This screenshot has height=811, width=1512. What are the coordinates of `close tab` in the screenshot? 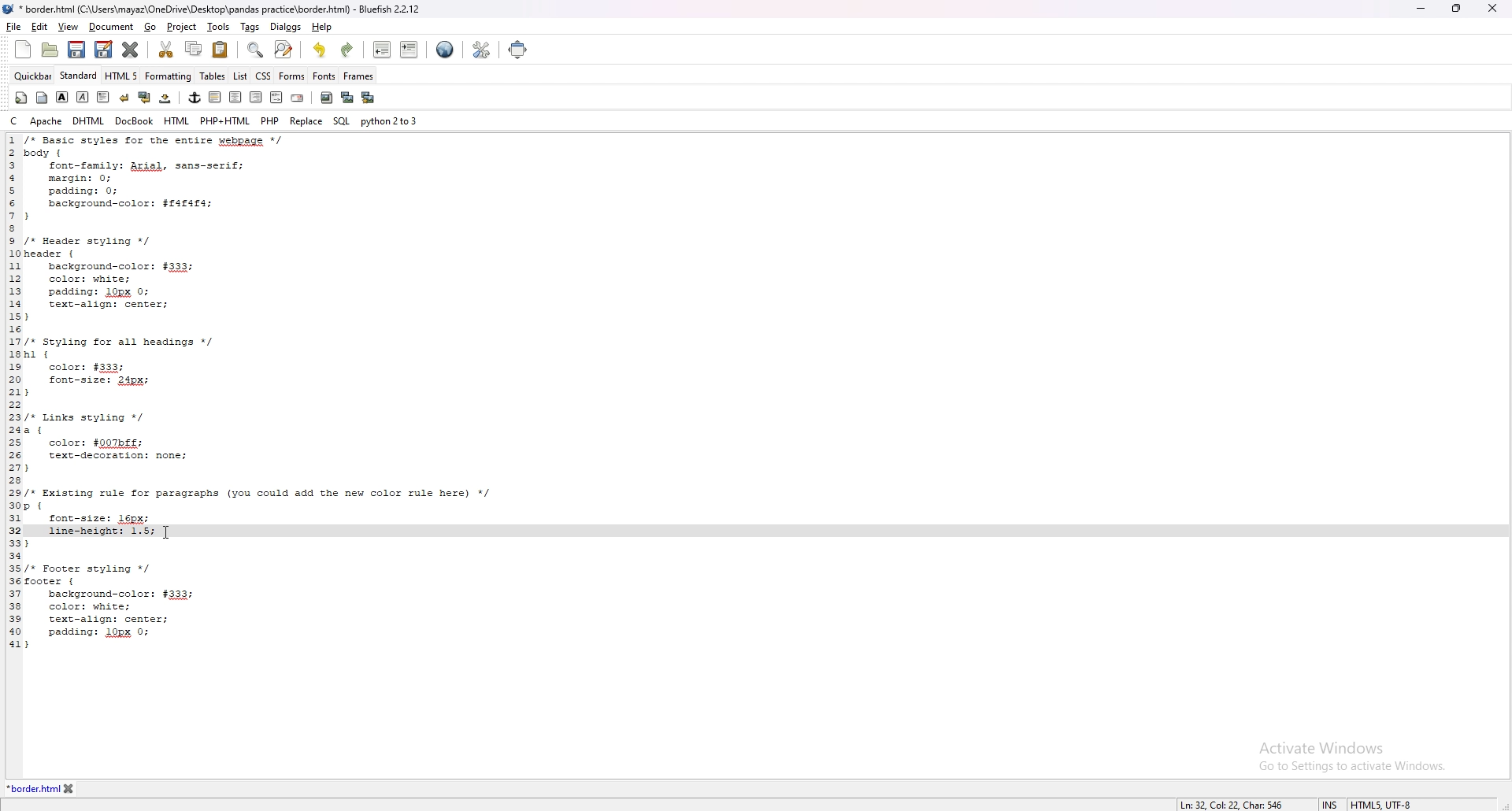 It's located at (91, 788).